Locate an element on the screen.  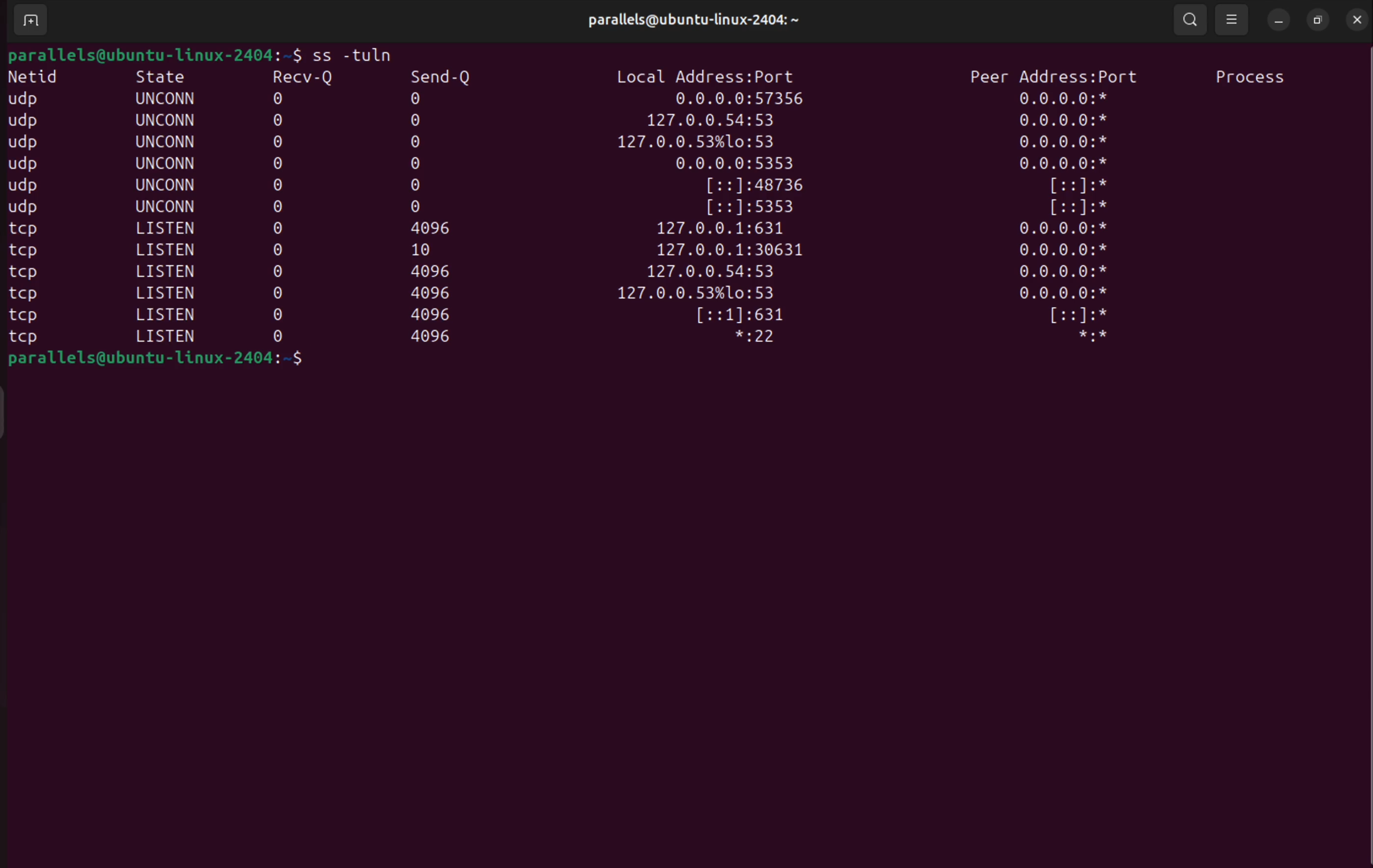
view options is located at coordinates (1233, 19).